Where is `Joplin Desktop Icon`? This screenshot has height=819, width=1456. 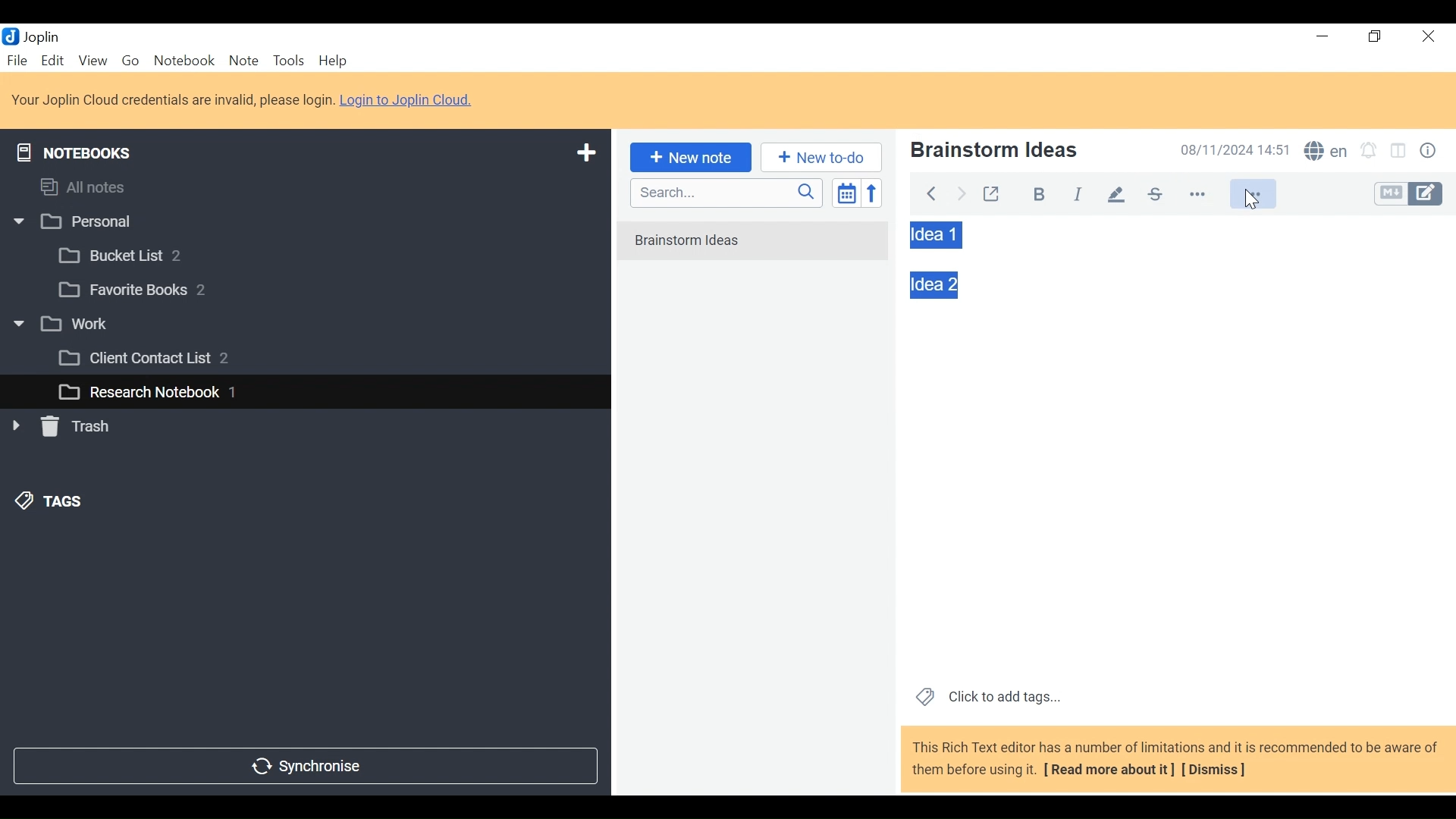 Joplin Desktop Icon is located at coordinates (39, 36).